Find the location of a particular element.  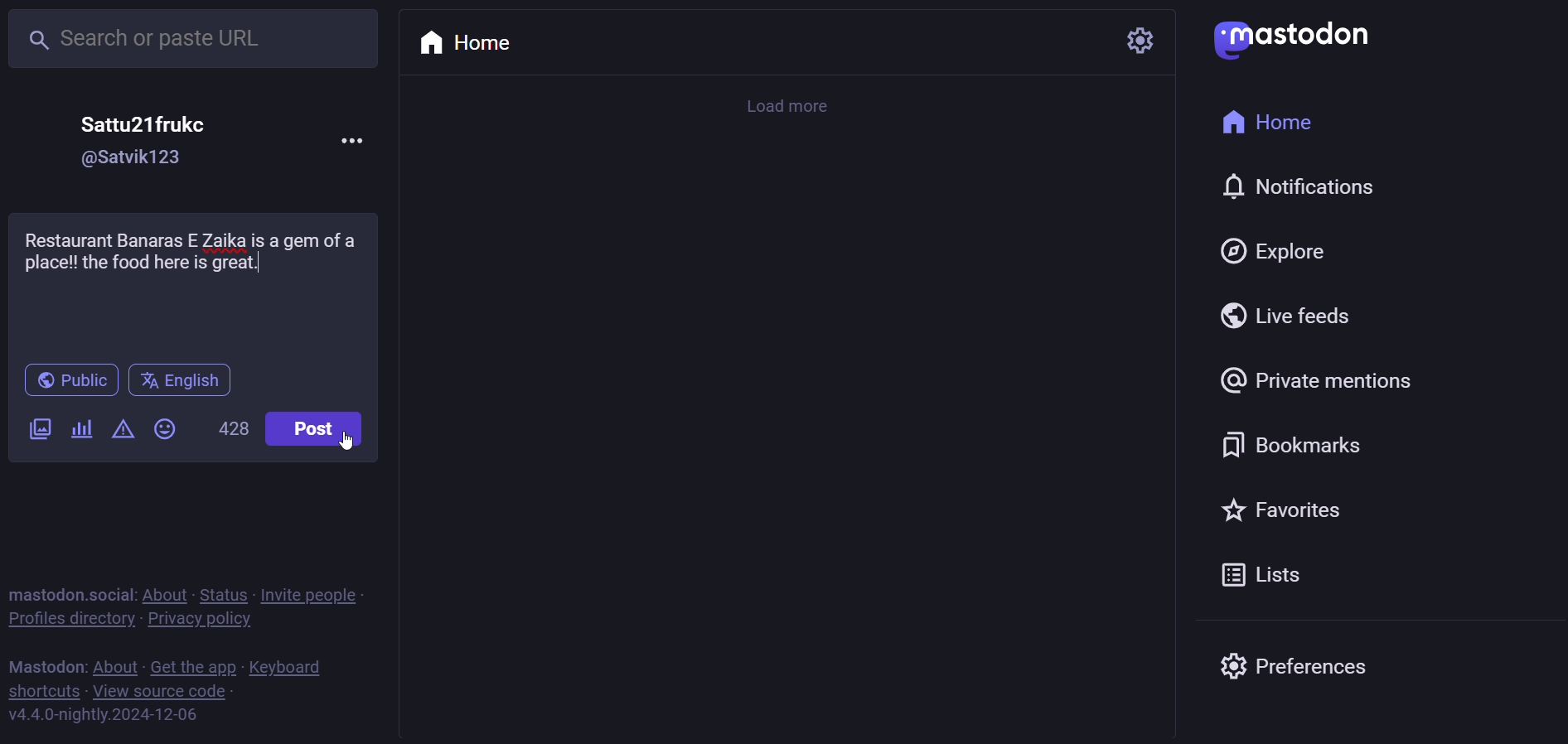

setting is located at coordinates (1123, 42).